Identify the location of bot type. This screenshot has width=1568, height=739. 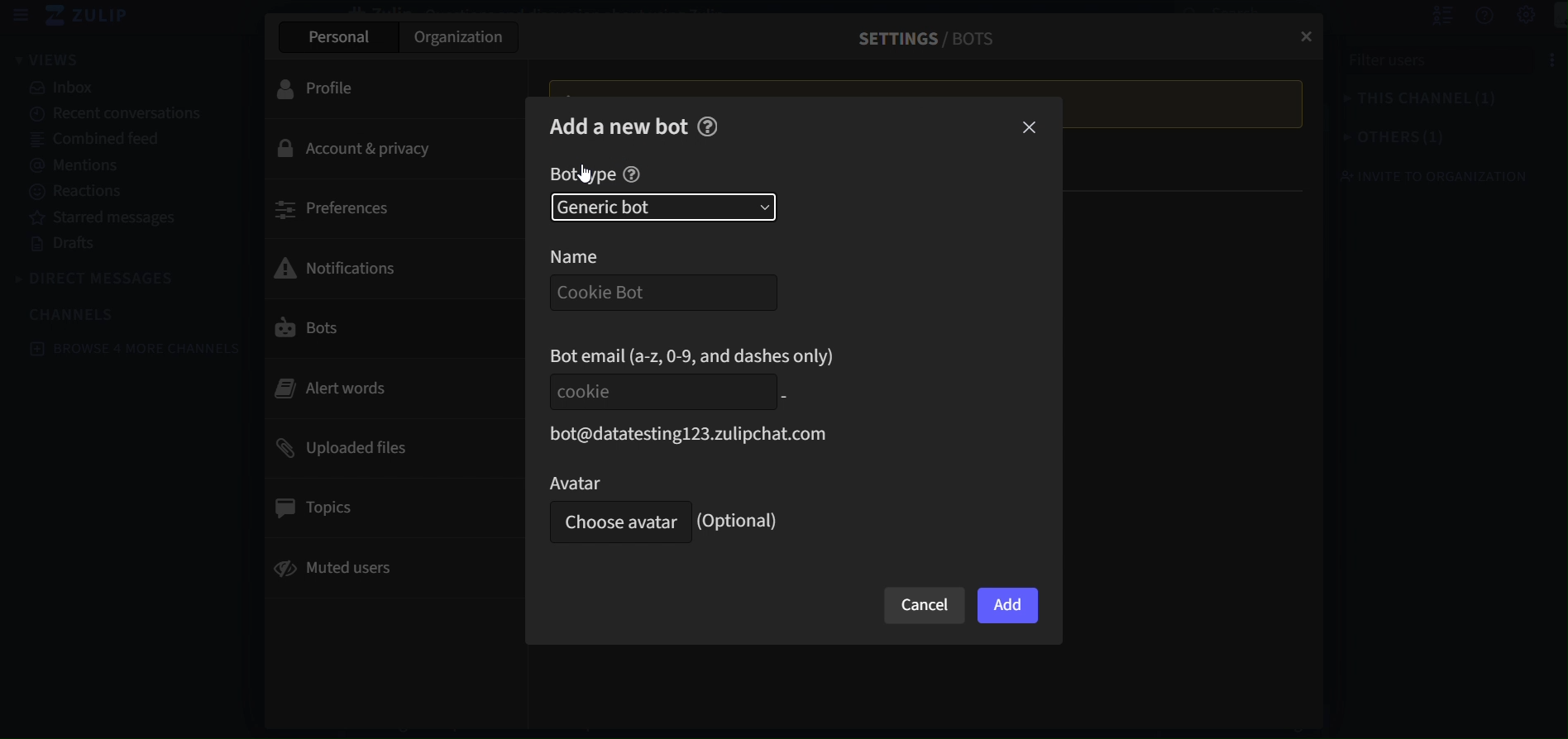
(582, 175).